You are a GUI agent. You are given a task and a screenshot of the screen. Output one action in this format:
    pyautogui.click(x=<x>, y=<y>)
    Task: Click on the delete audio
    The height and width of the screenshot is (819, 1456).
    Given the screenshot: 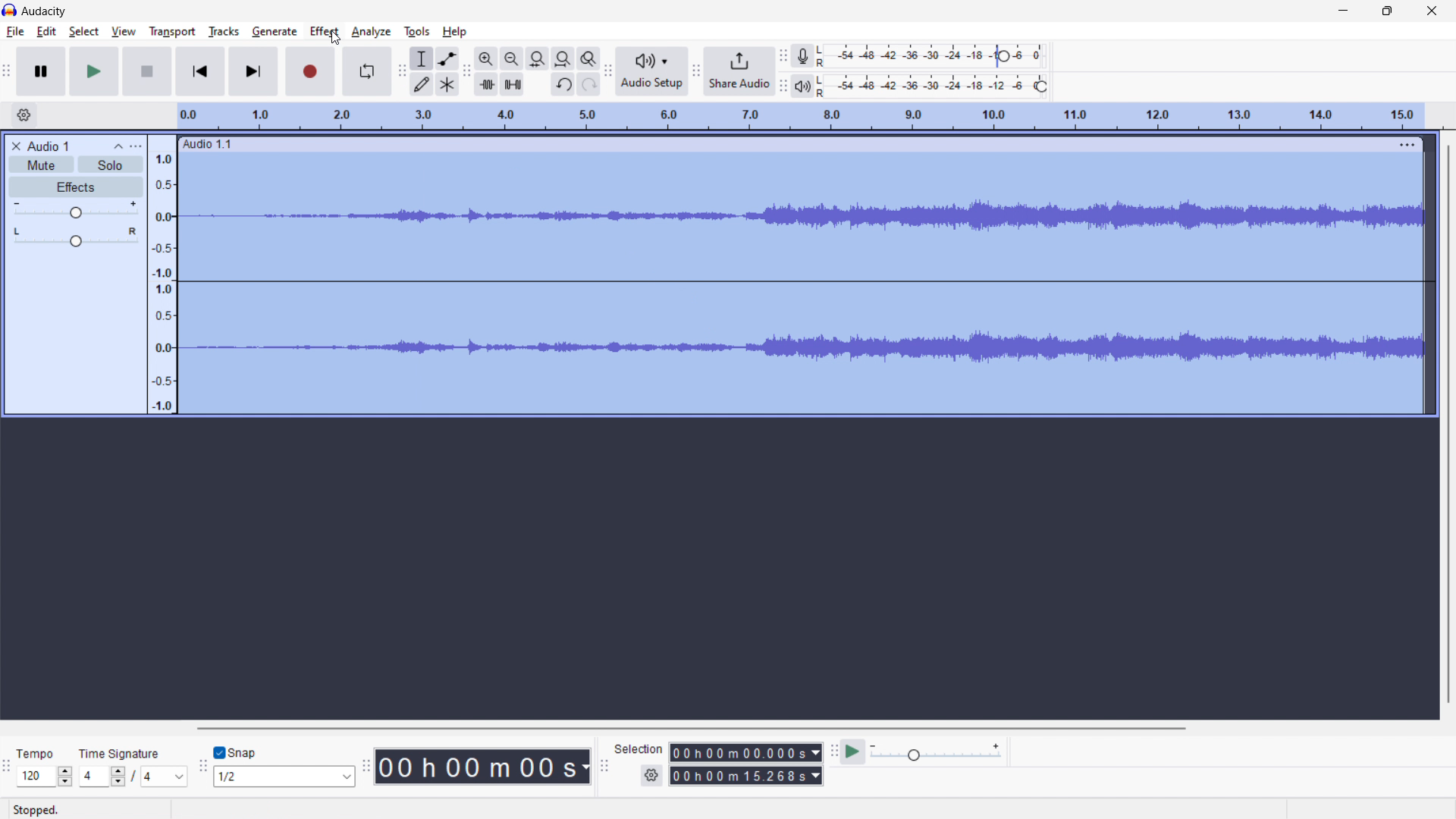 What is the action you would take?
    pyautogui.click(x=14, y=146)
    